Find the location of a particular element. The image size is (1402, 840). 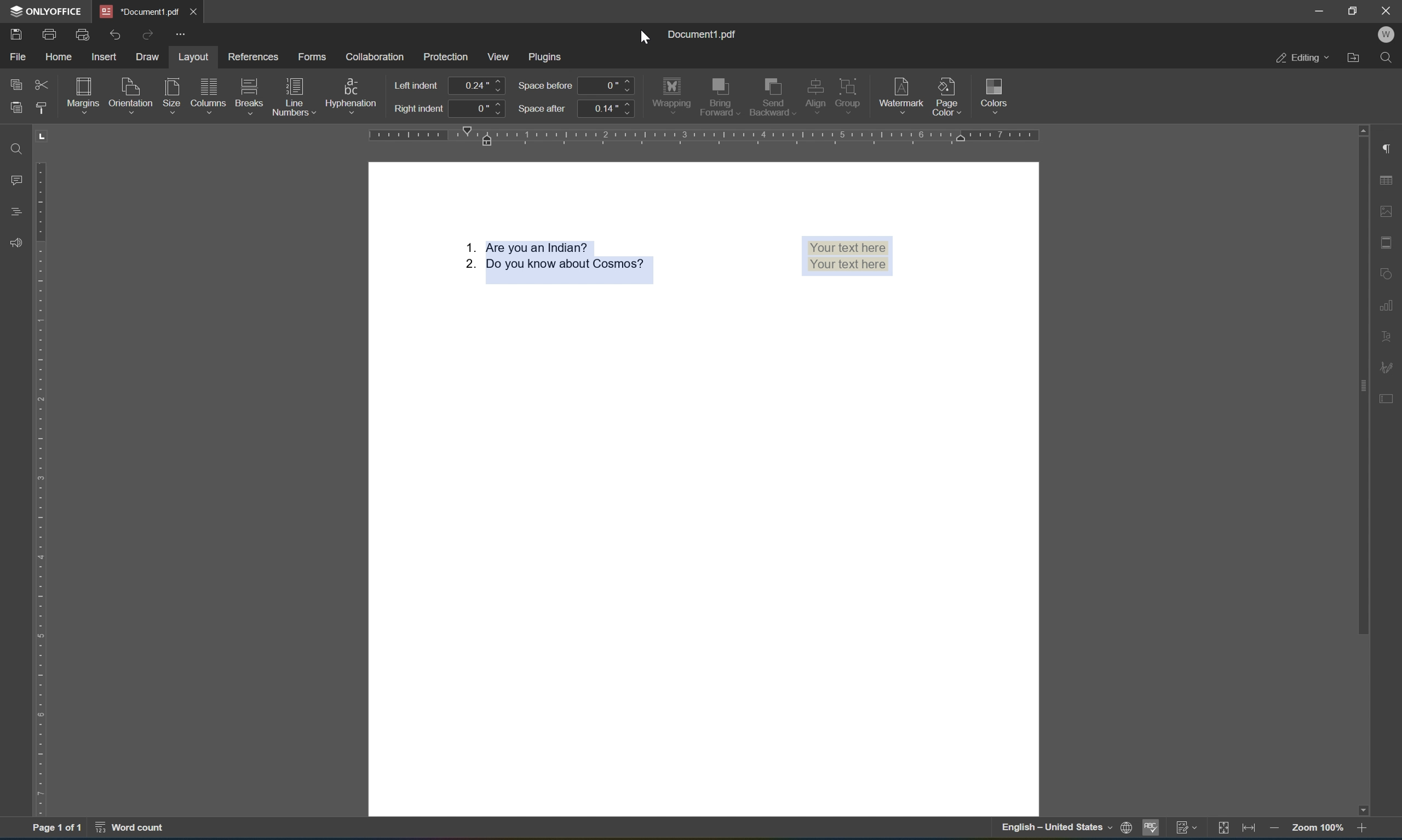

redo is located at coordinates (147, 33).